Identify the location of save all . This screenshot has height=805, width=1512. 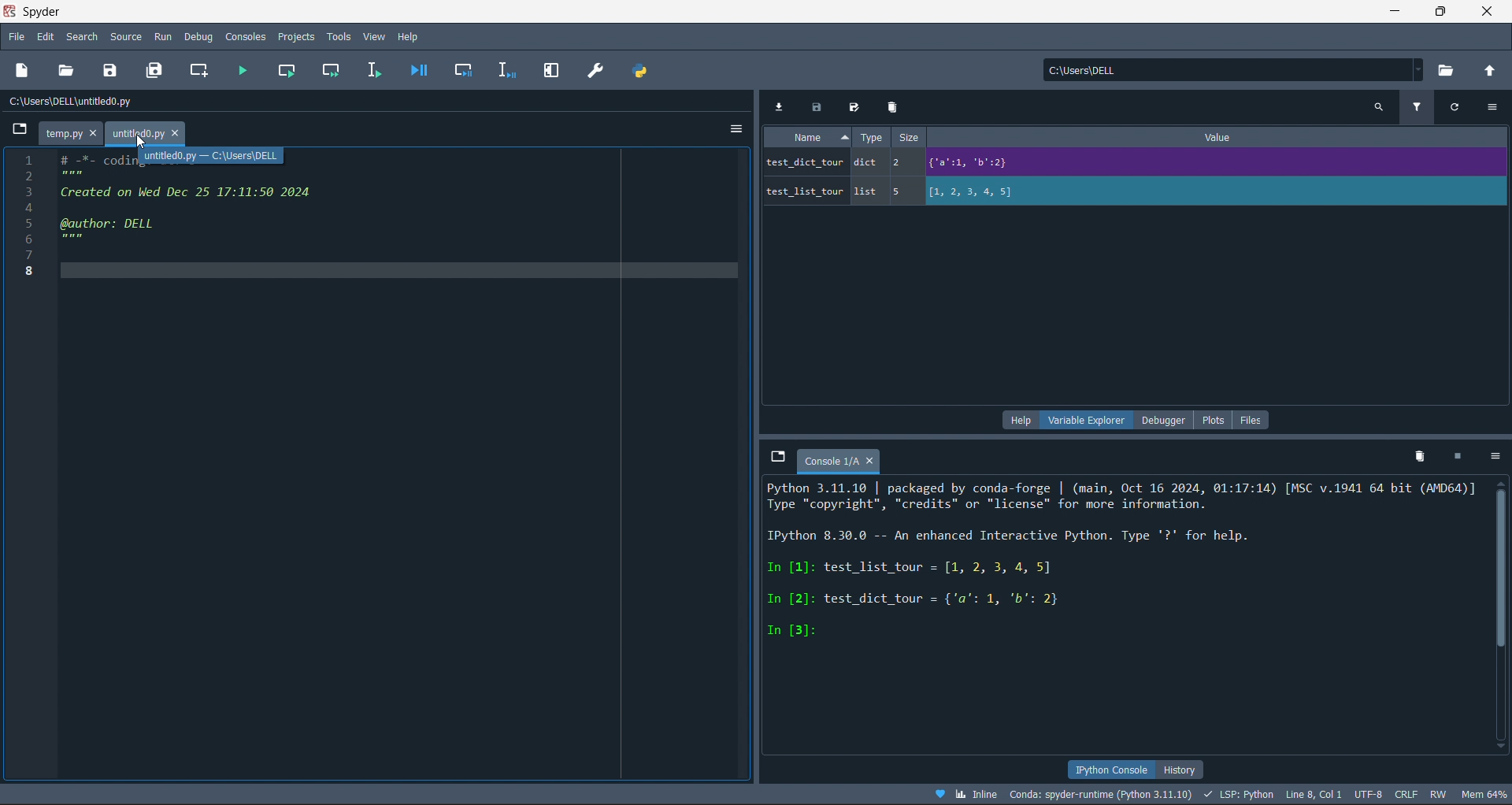
(156, 72).